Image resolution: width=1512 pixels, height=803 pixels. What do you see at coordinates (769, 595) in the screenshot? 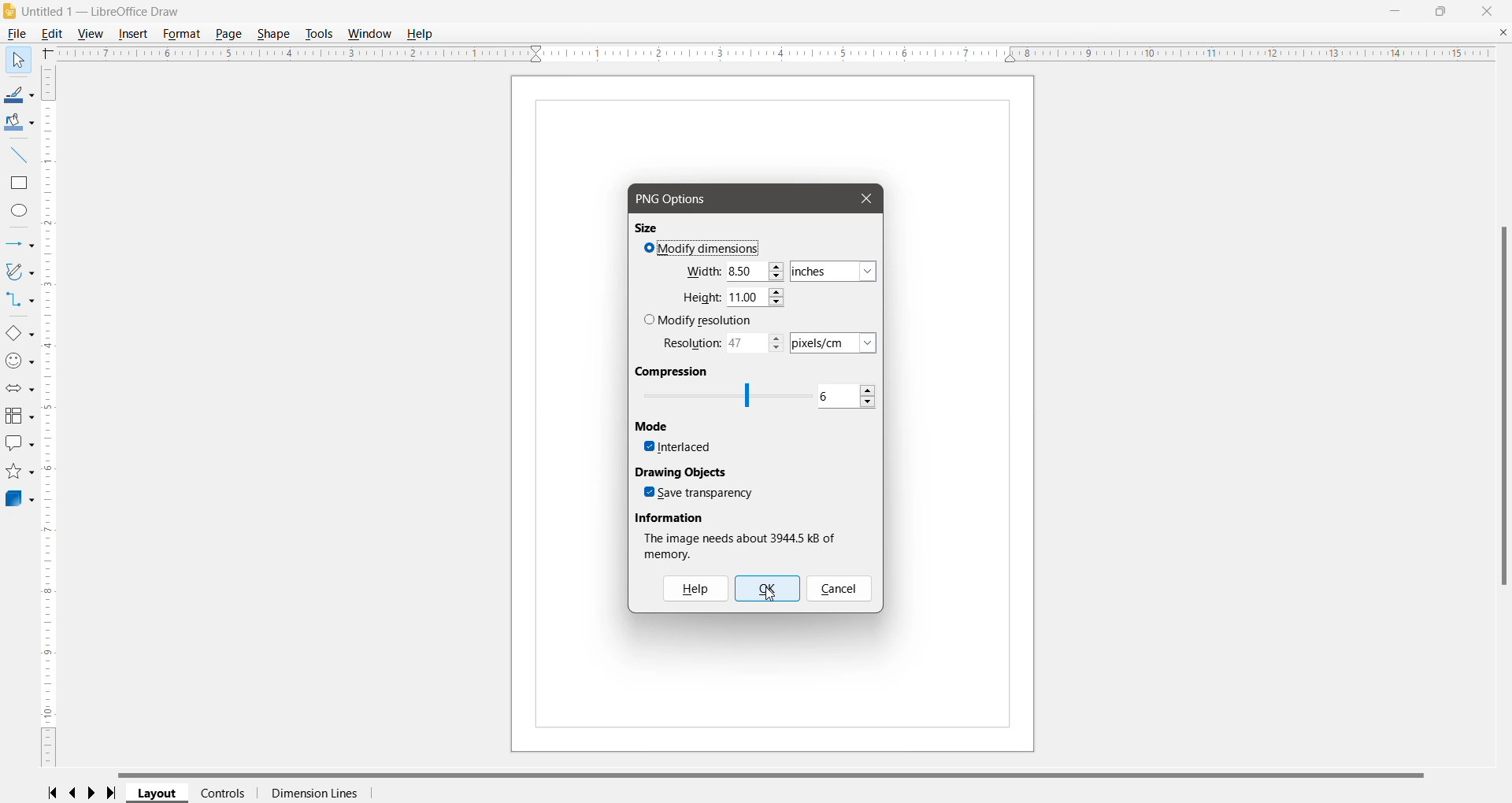
I see `cursor` at bounding box center [769, 595].